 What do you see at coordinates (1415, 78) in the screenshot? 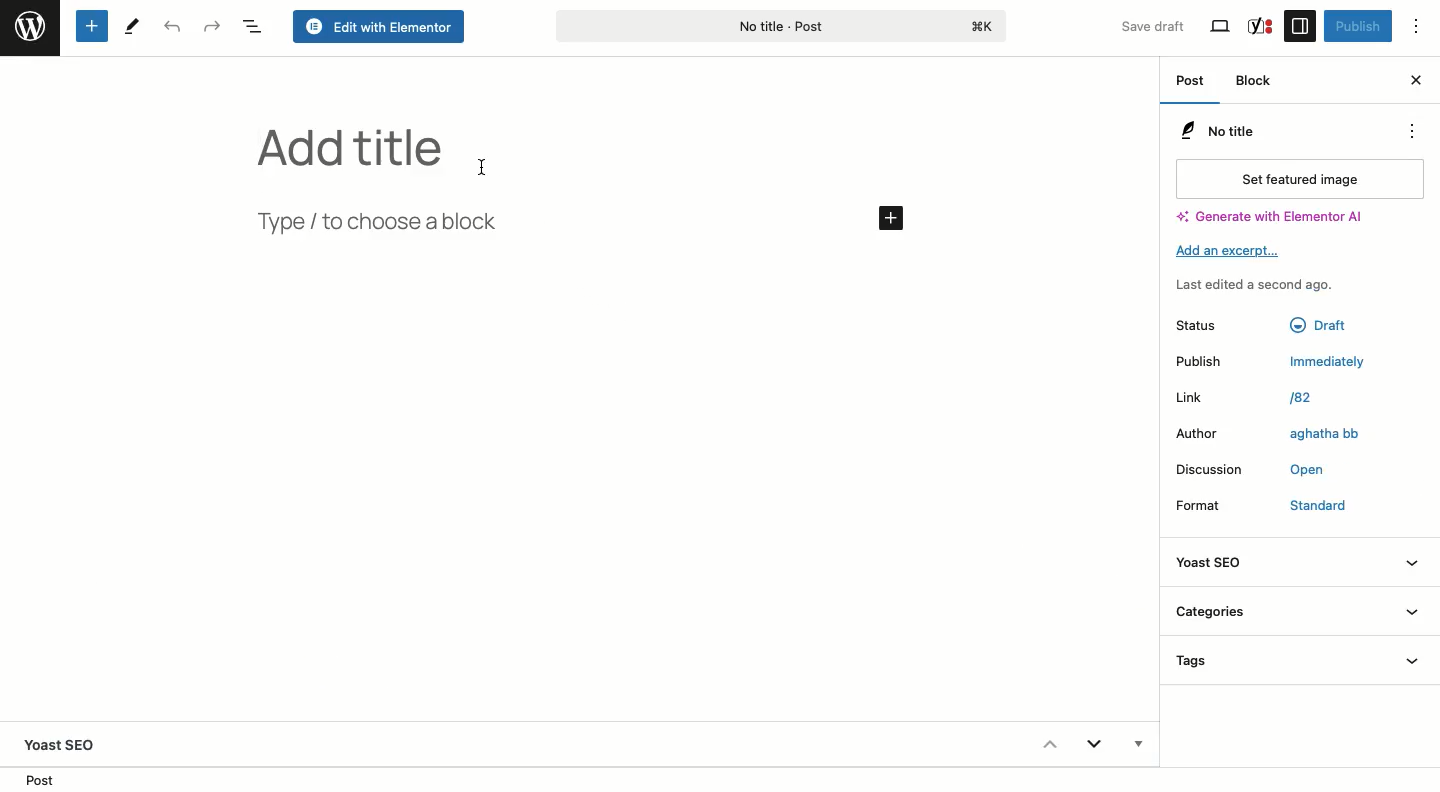
I see `Close` at bounding box center [1415, 78].